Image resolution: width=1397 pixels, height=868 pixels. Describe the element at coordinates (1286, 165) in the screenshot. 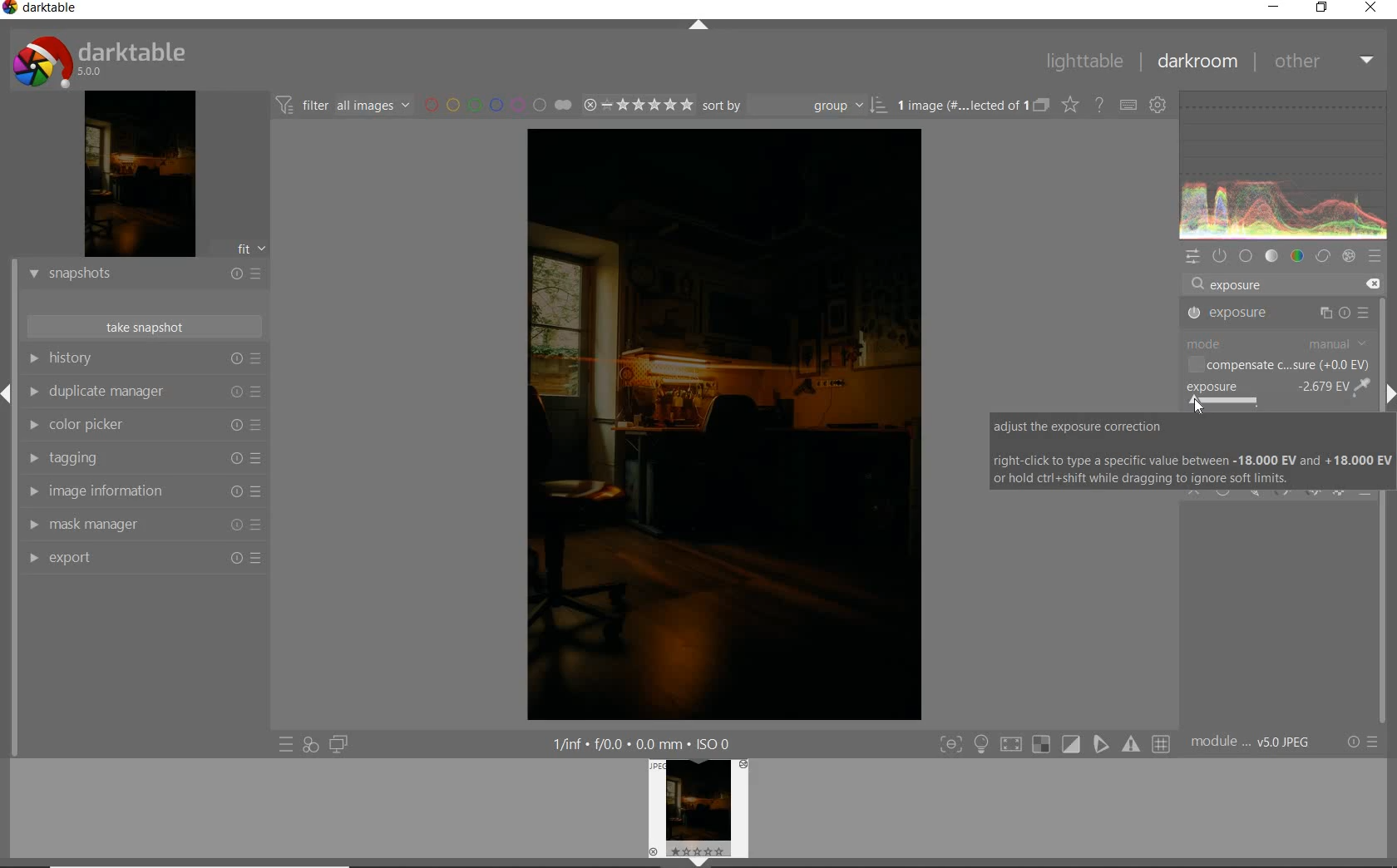

I see `waveform` at that location.